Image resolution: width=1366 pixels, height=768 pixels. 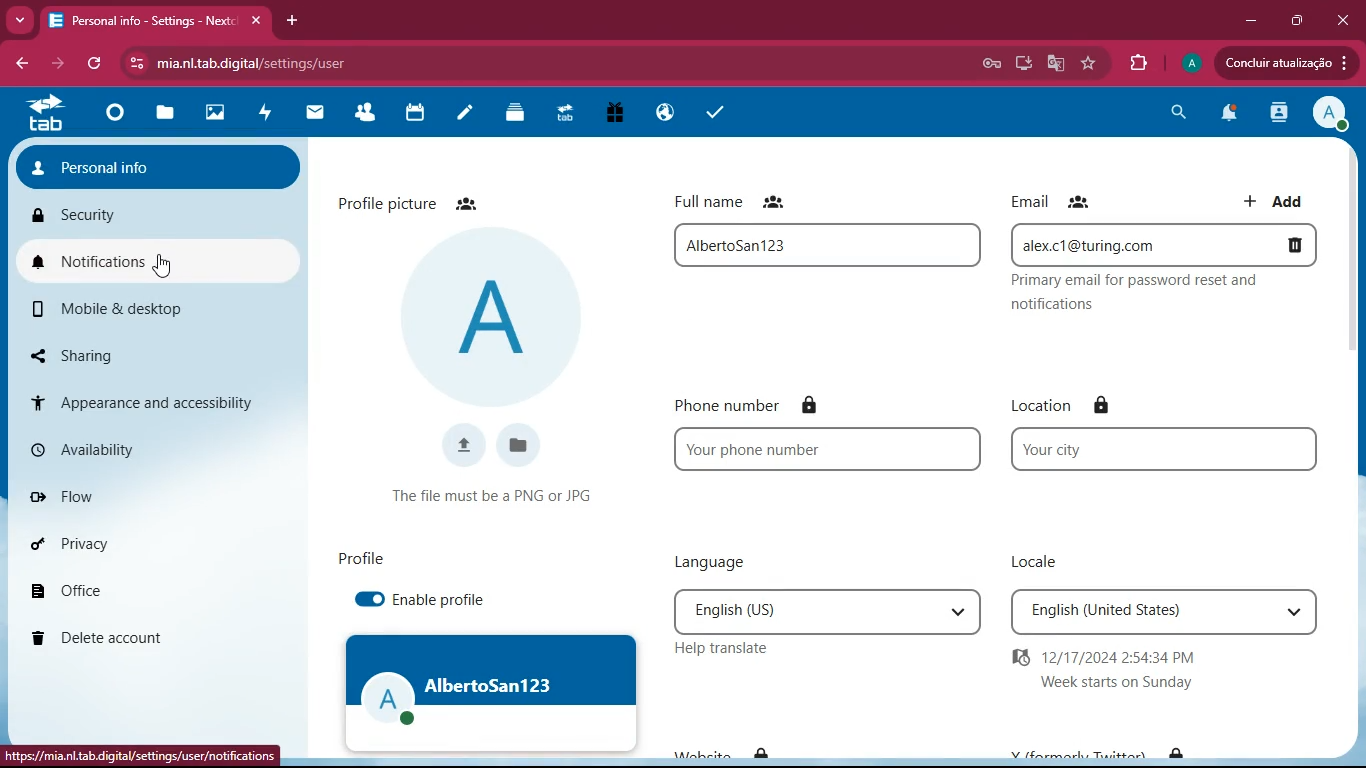 What do you see at coordinates (1114, 672) in the screenshot?
I see `time` at bounding box center [1114, 672].